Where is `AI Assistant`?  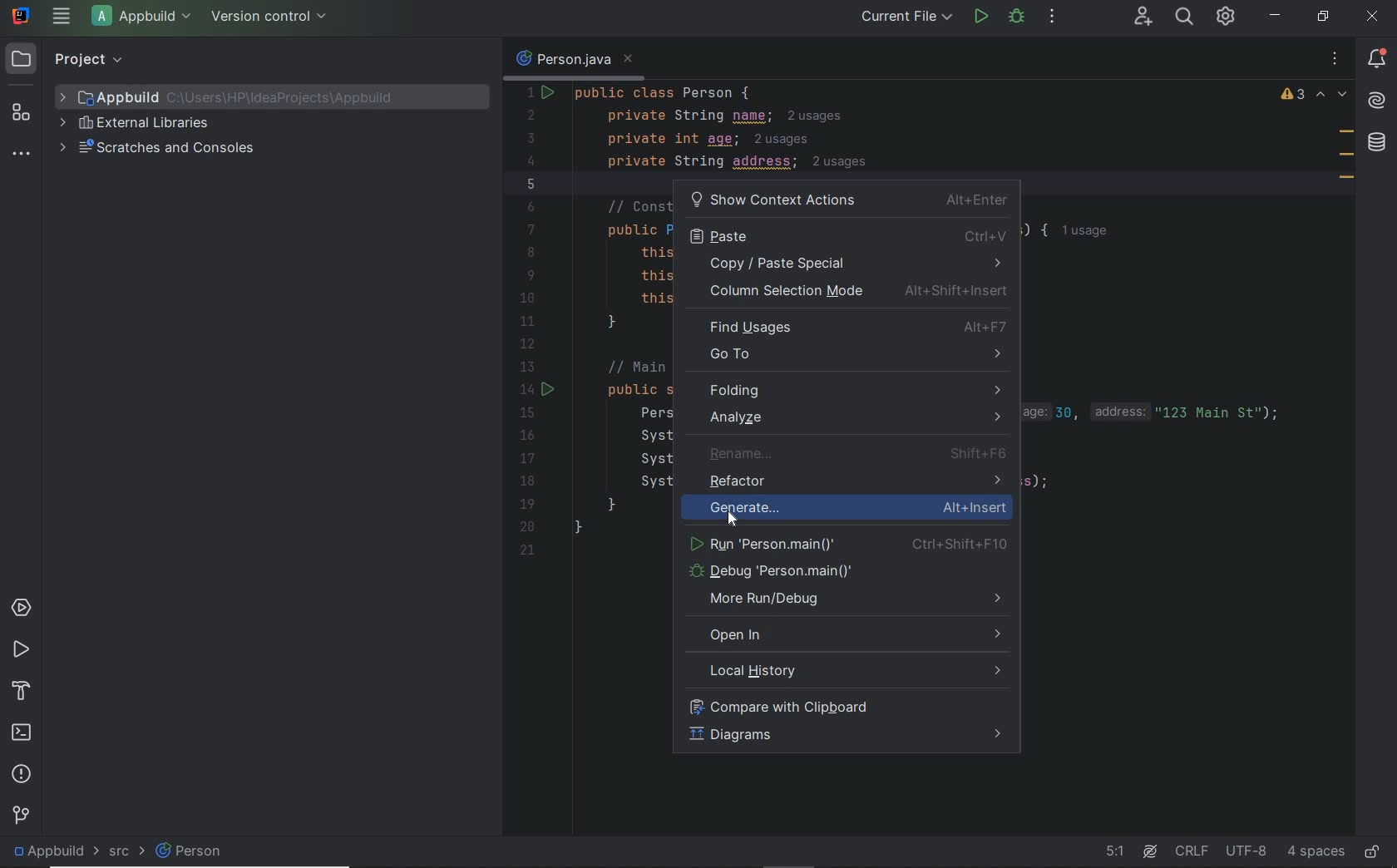 AI Assistant is located at coordinates (1149, 852).